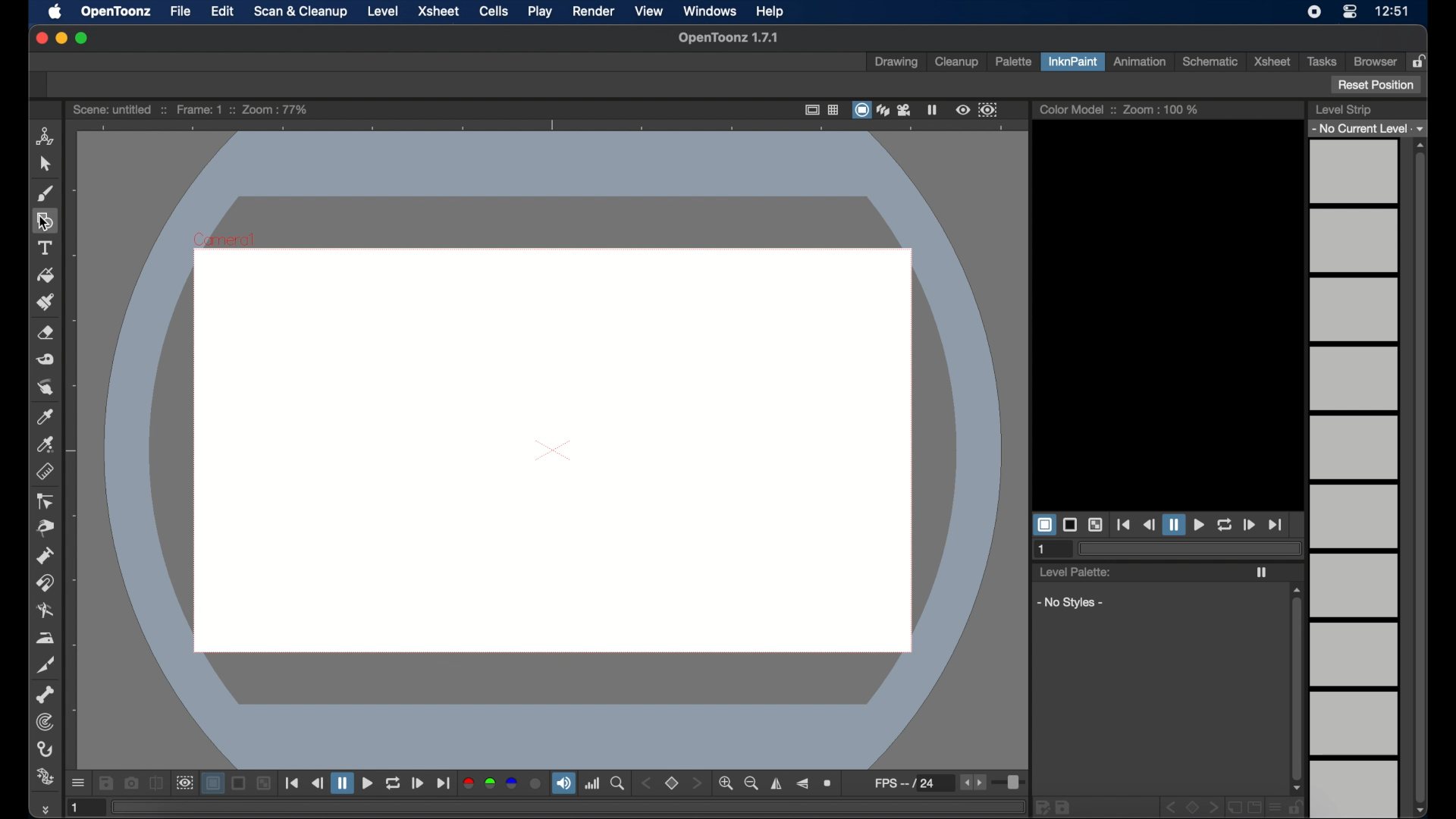 This screenshot has width=1456, height=819. I want to click on tracker tool, so click(45, 722).